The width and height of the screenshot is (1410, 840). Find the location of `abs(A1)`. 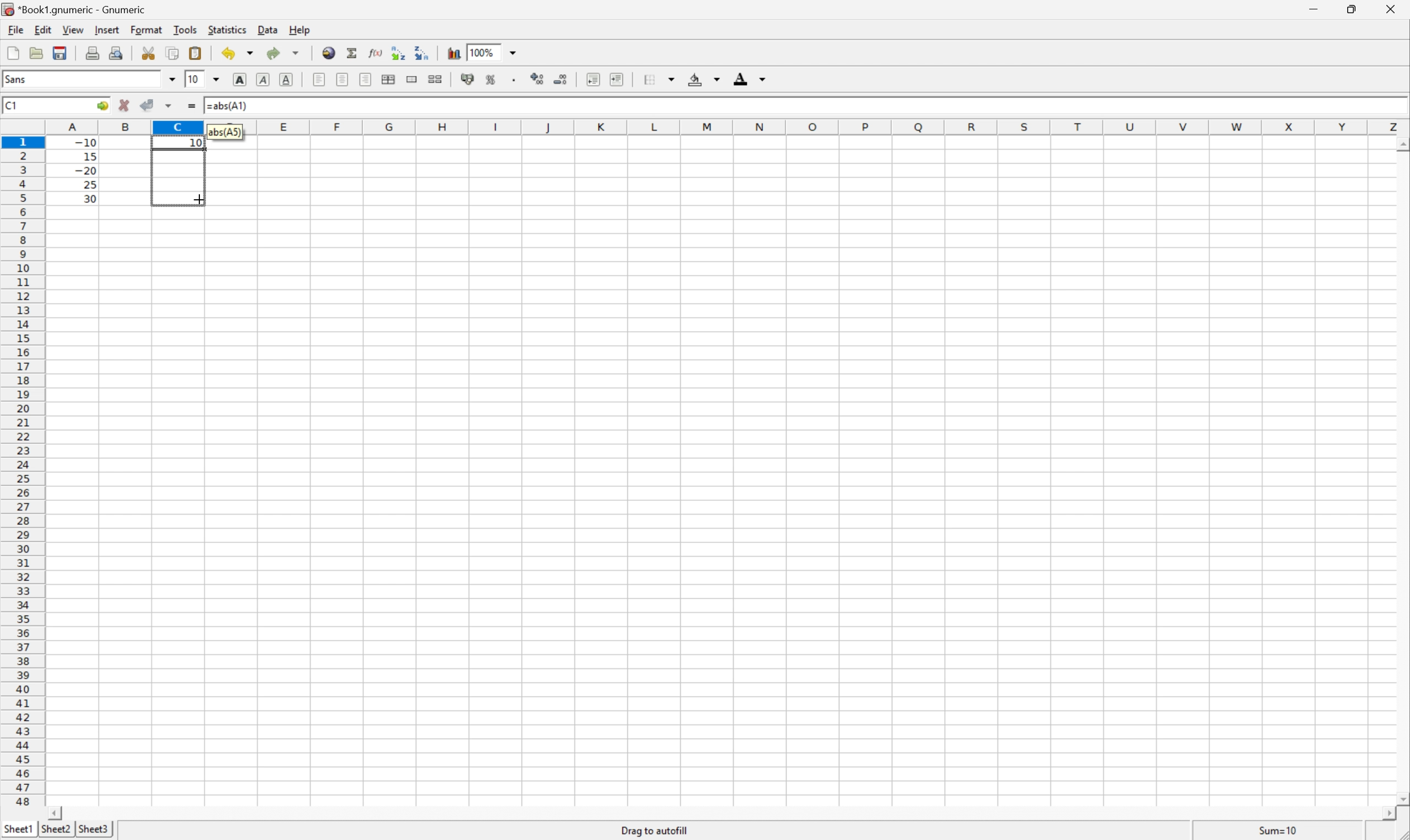

abs(A1) is located at coordinates (226, 131).